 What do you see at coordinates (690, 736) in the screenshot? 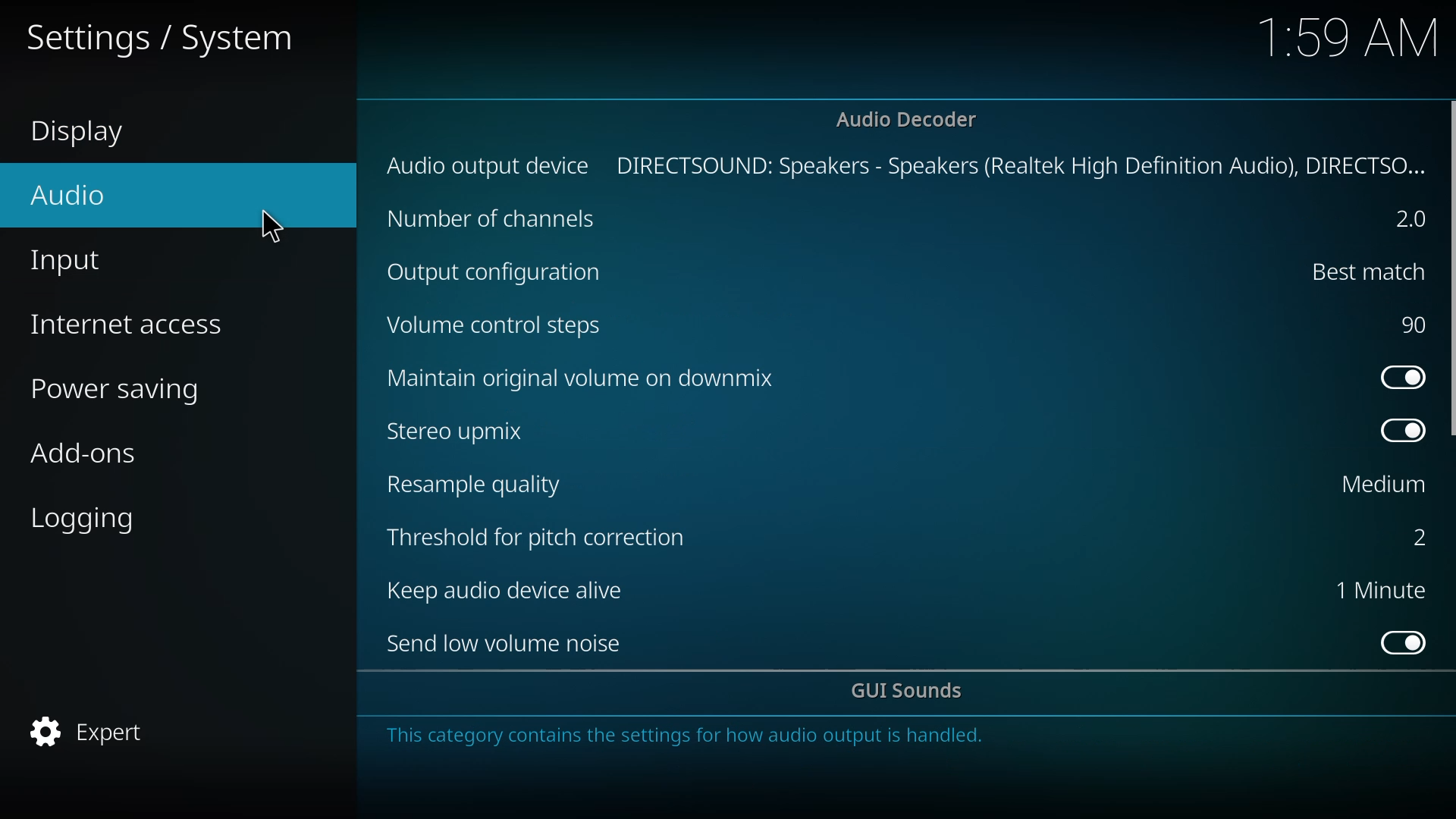
I see `info` at bounding box center [690, 736].